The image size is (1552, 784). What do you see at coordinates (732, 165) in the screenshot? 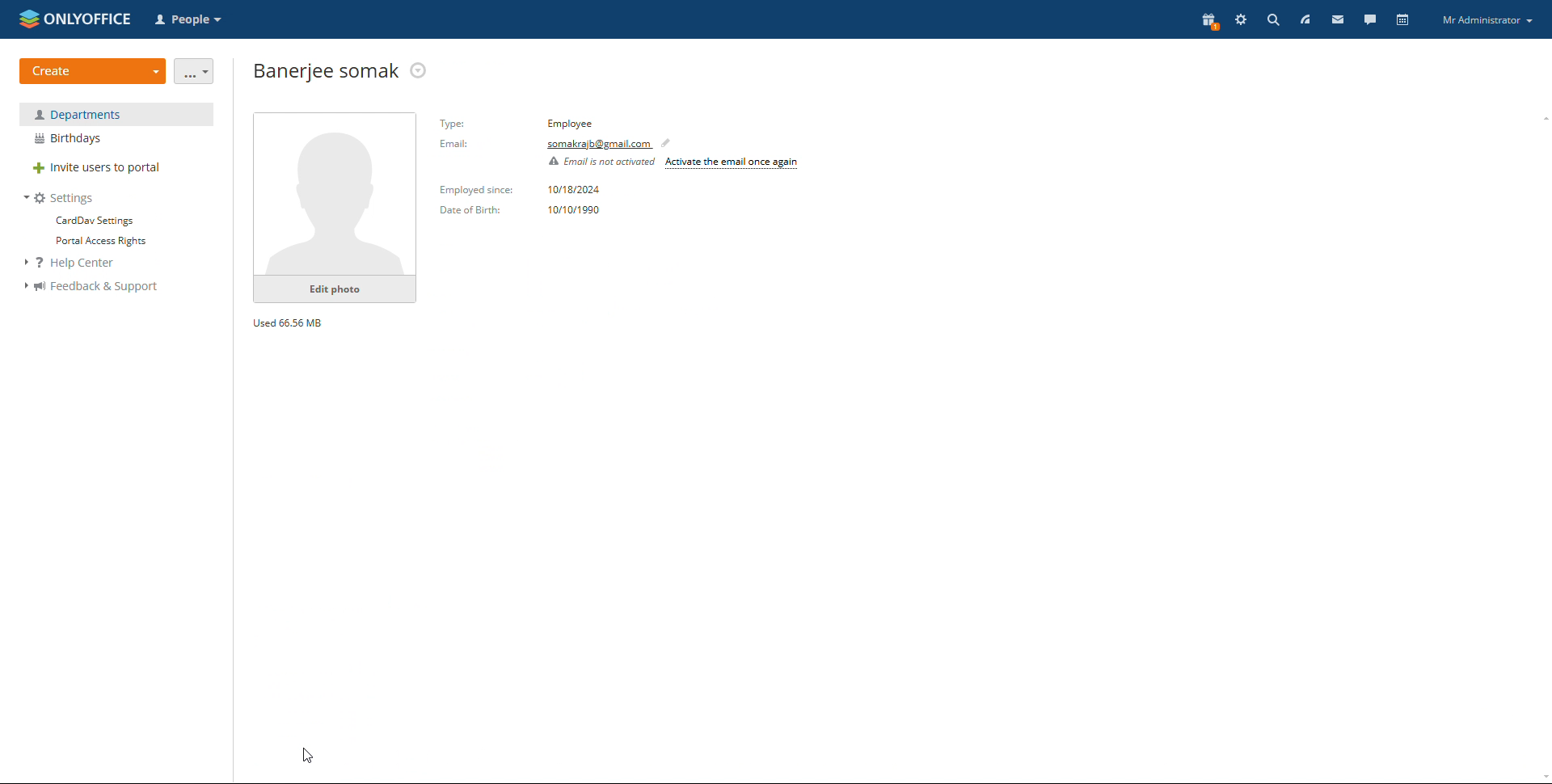
I see `activate email` at bounding box center [732, 165].